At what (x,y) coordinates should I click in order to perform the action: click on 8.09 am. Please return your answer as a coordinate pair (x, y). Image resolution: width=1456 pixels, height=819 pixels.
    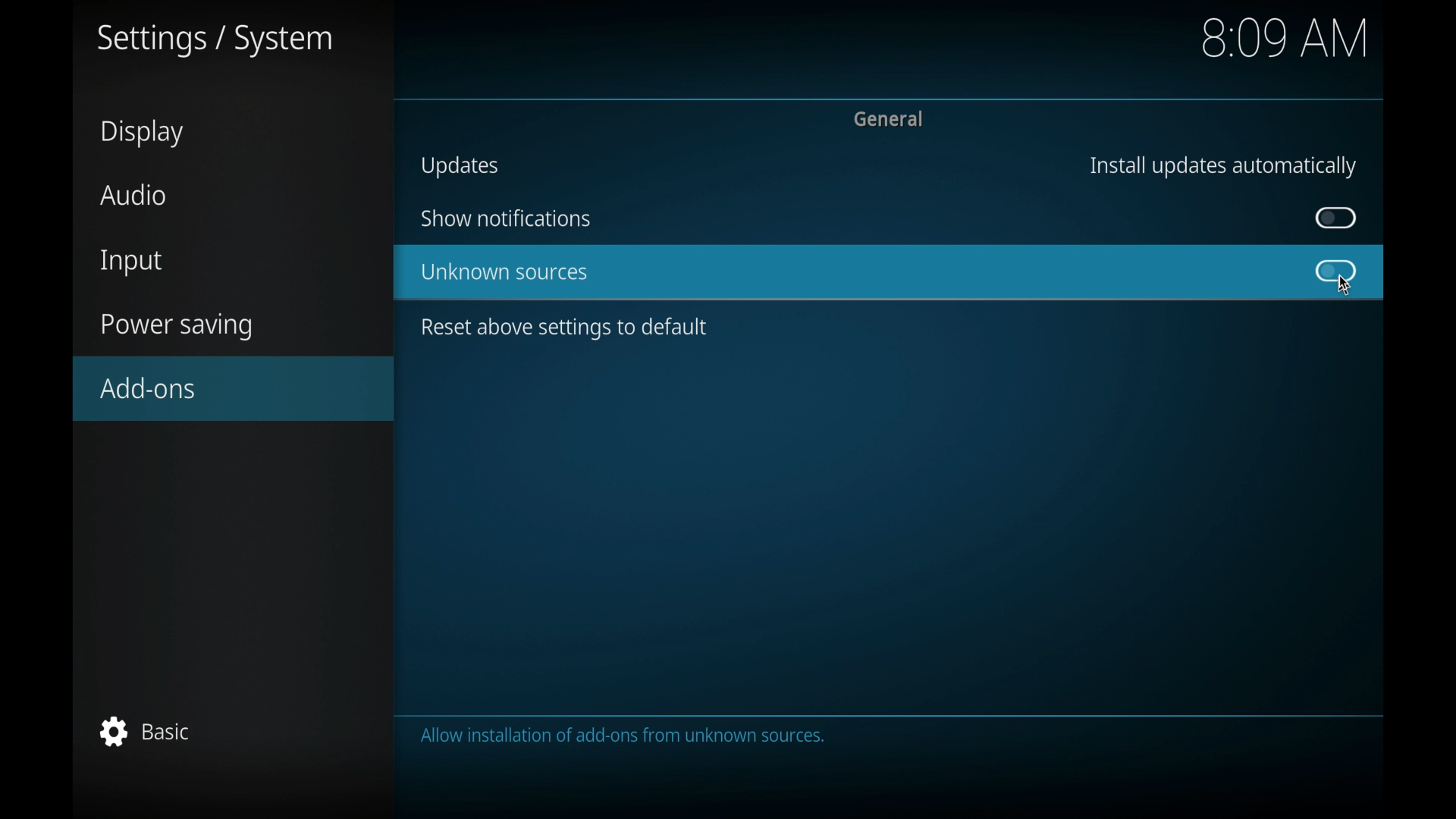
    Looking at the image, I should click on (1287, 37).